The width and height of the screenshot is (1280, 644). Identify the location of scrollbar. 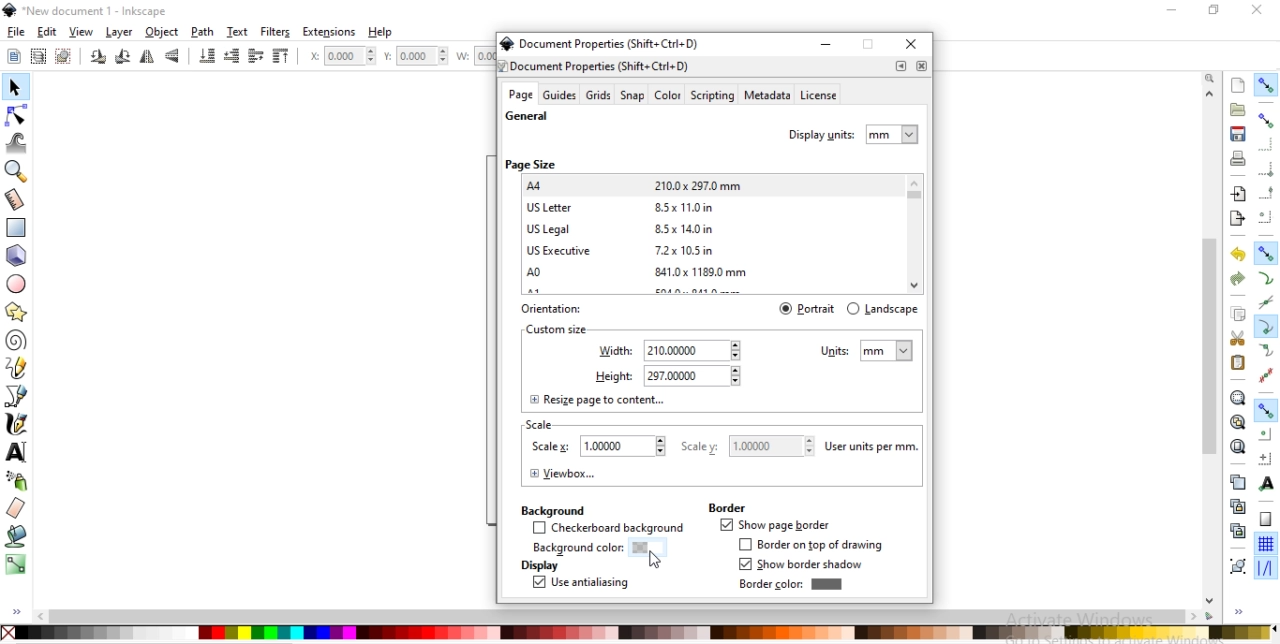
(1211, 398).